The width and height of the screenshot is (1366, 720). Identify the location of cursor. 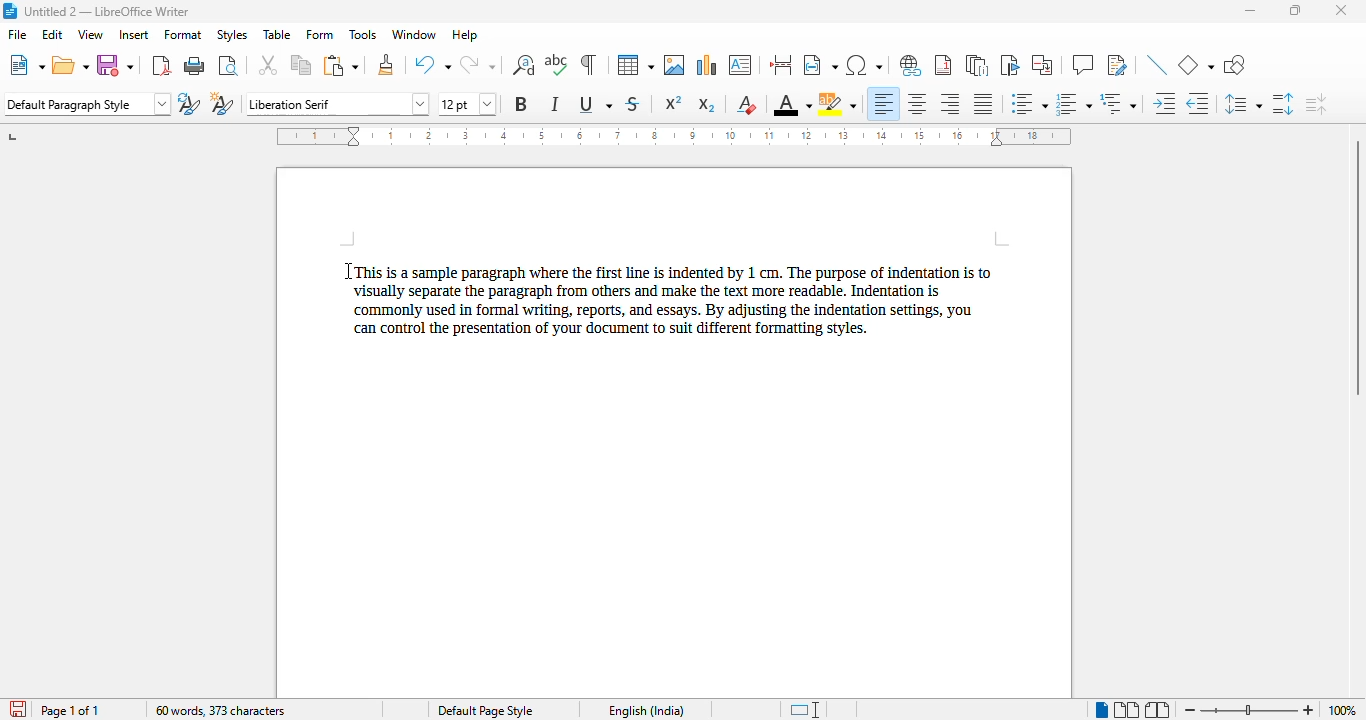
(347, 273).